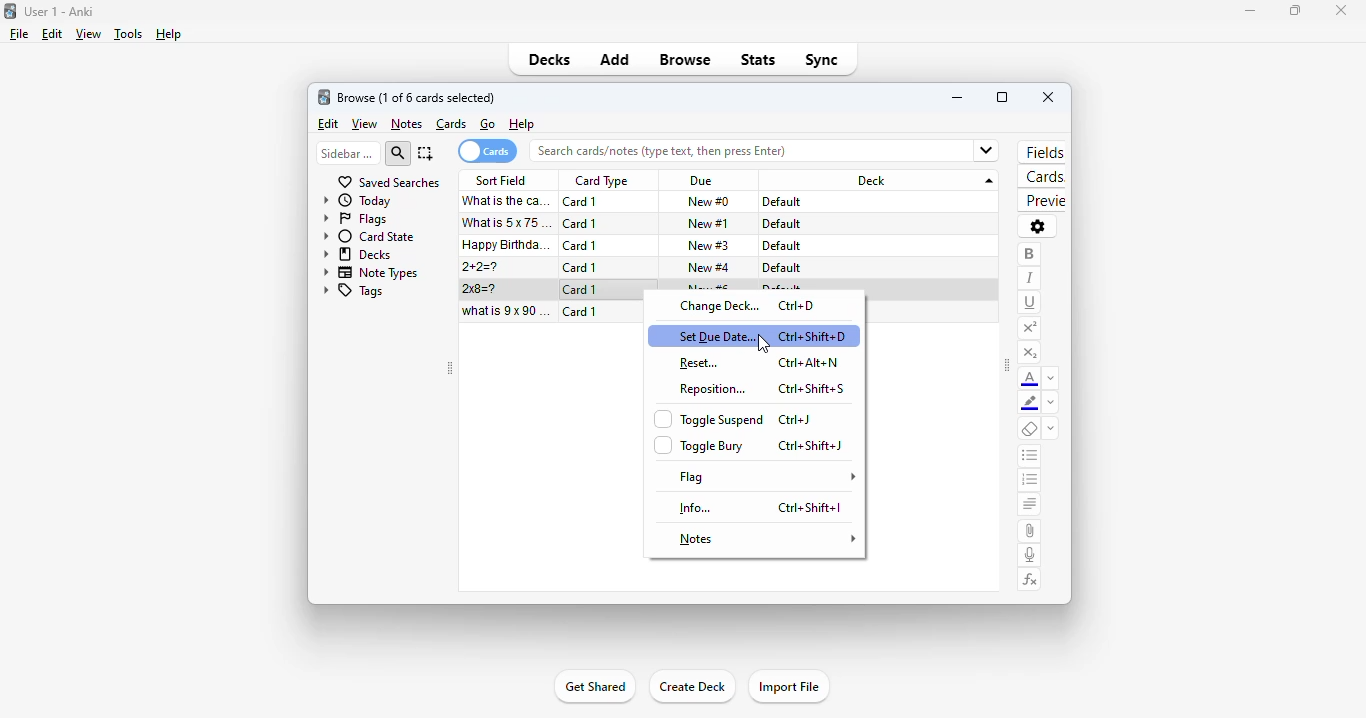 The image size is (1366, 718). Describe the element at coordinates (1029, 328) in the screenshot. I see `superscript` at that location.